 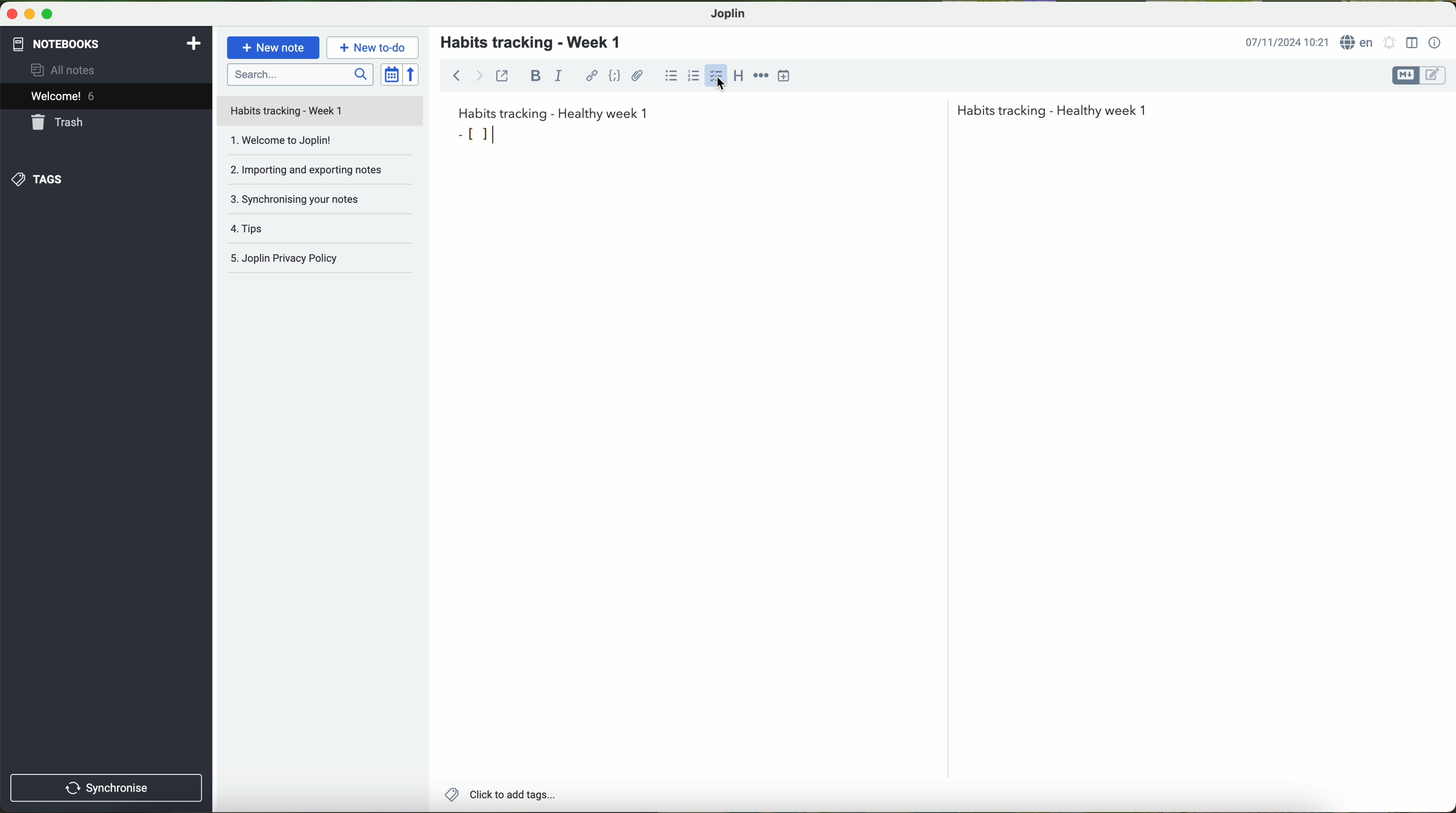 I want to click on toggle external editing, so click(x=502, y=75).